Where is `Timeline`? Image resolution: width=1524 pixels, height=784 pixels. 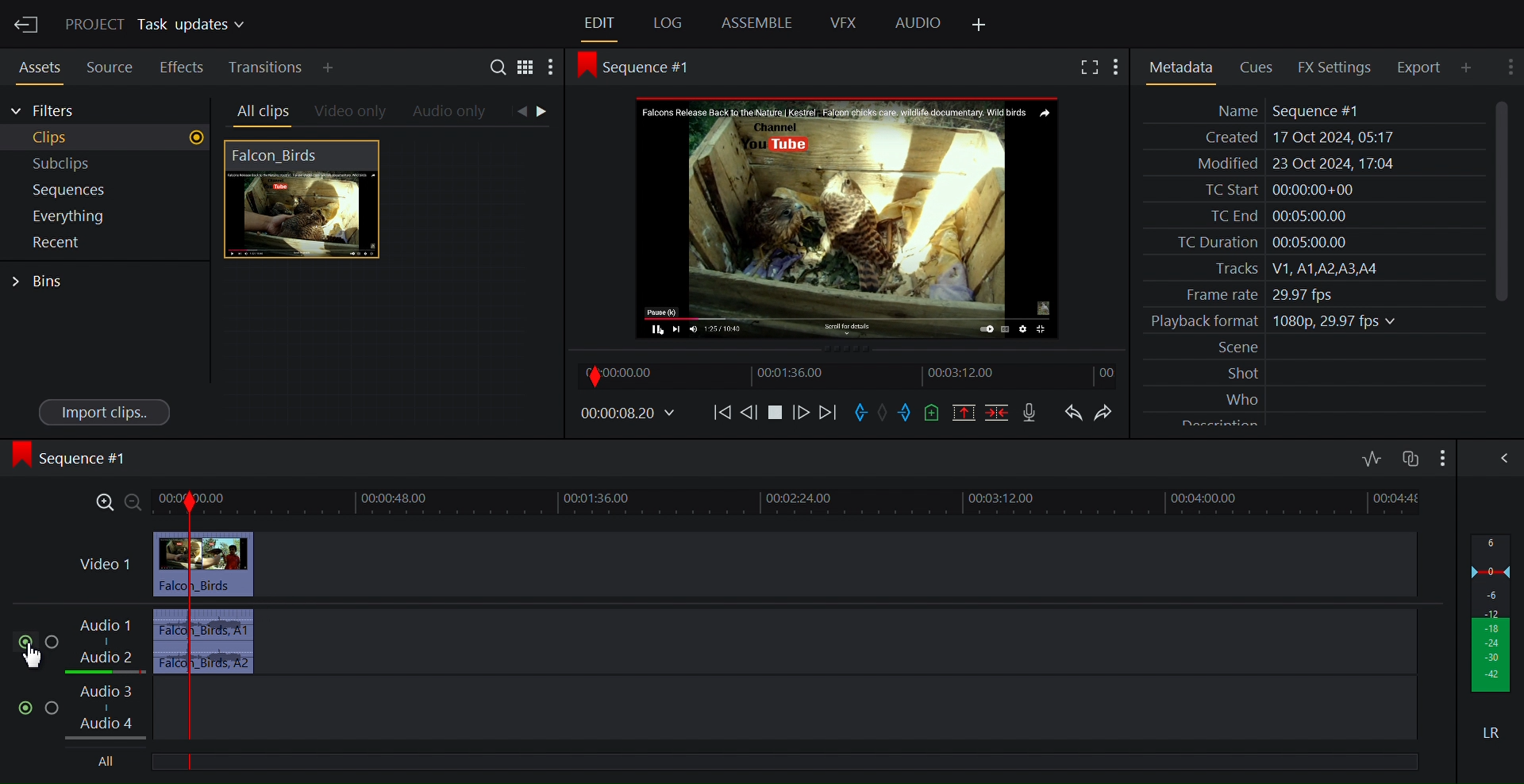 Timeline is located at coordinates (851, 376).